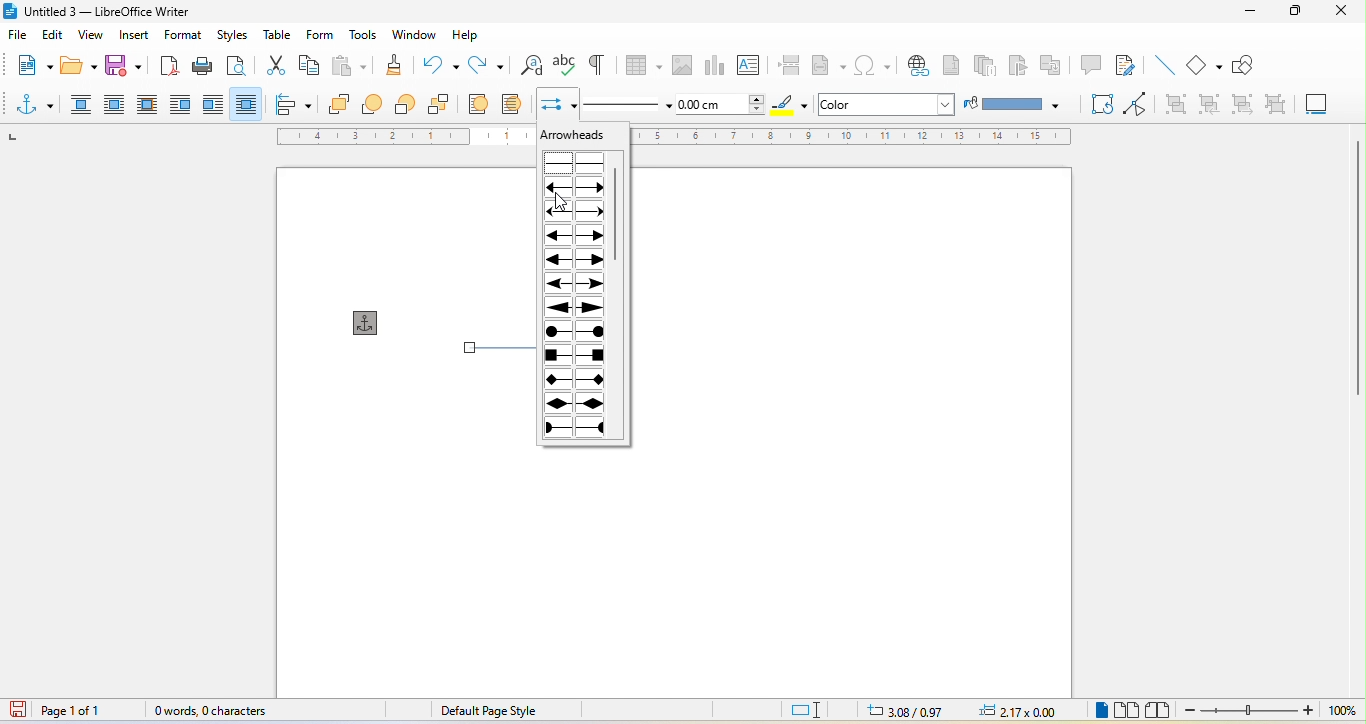 This screenshot has height=724, width=1366. What do you see at coordinates (487, 710) in the screenshot?
I see `default page style` at bounding box center [487, 710].